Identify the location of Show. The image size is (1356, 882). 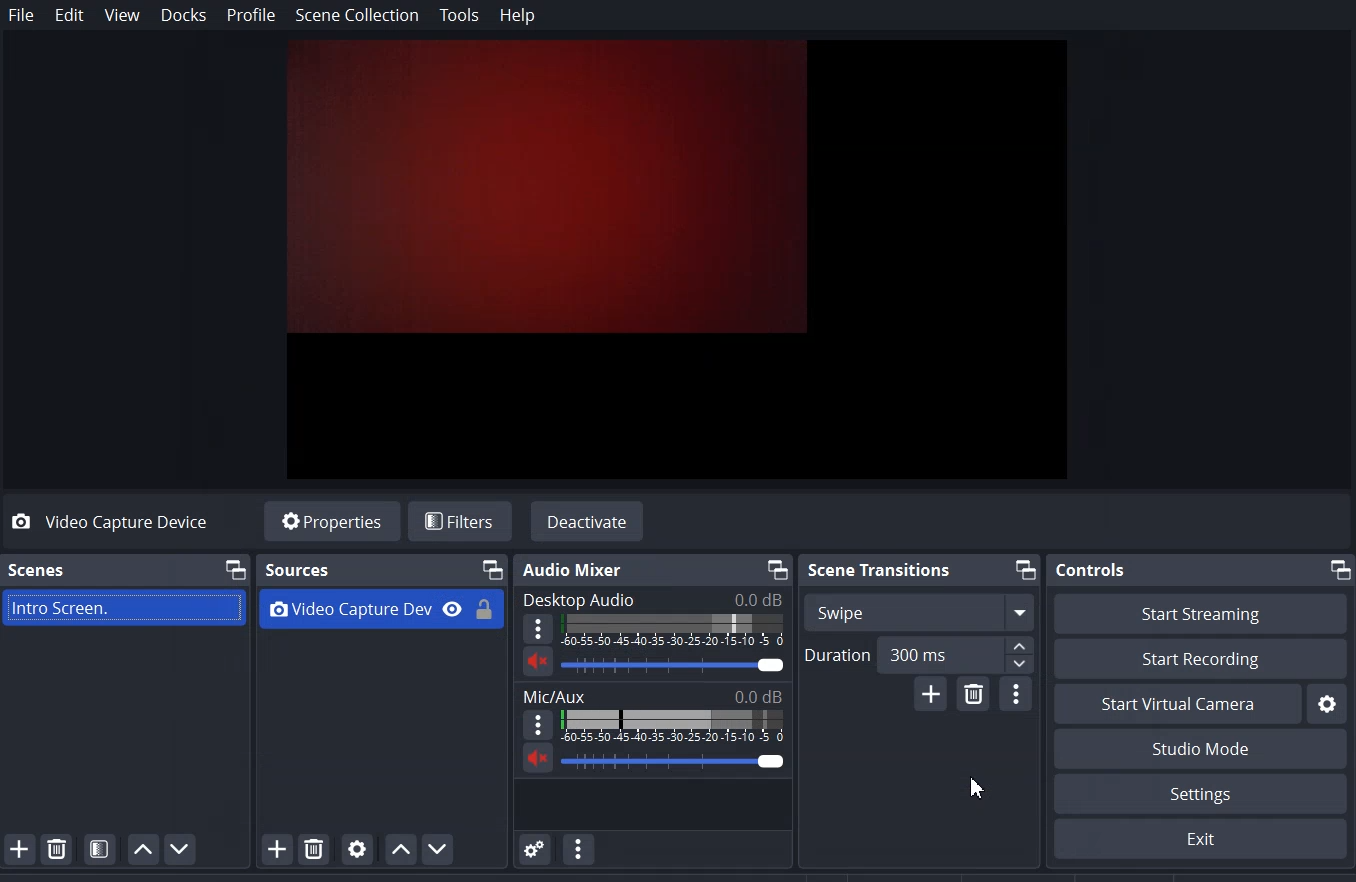
(453, 607).